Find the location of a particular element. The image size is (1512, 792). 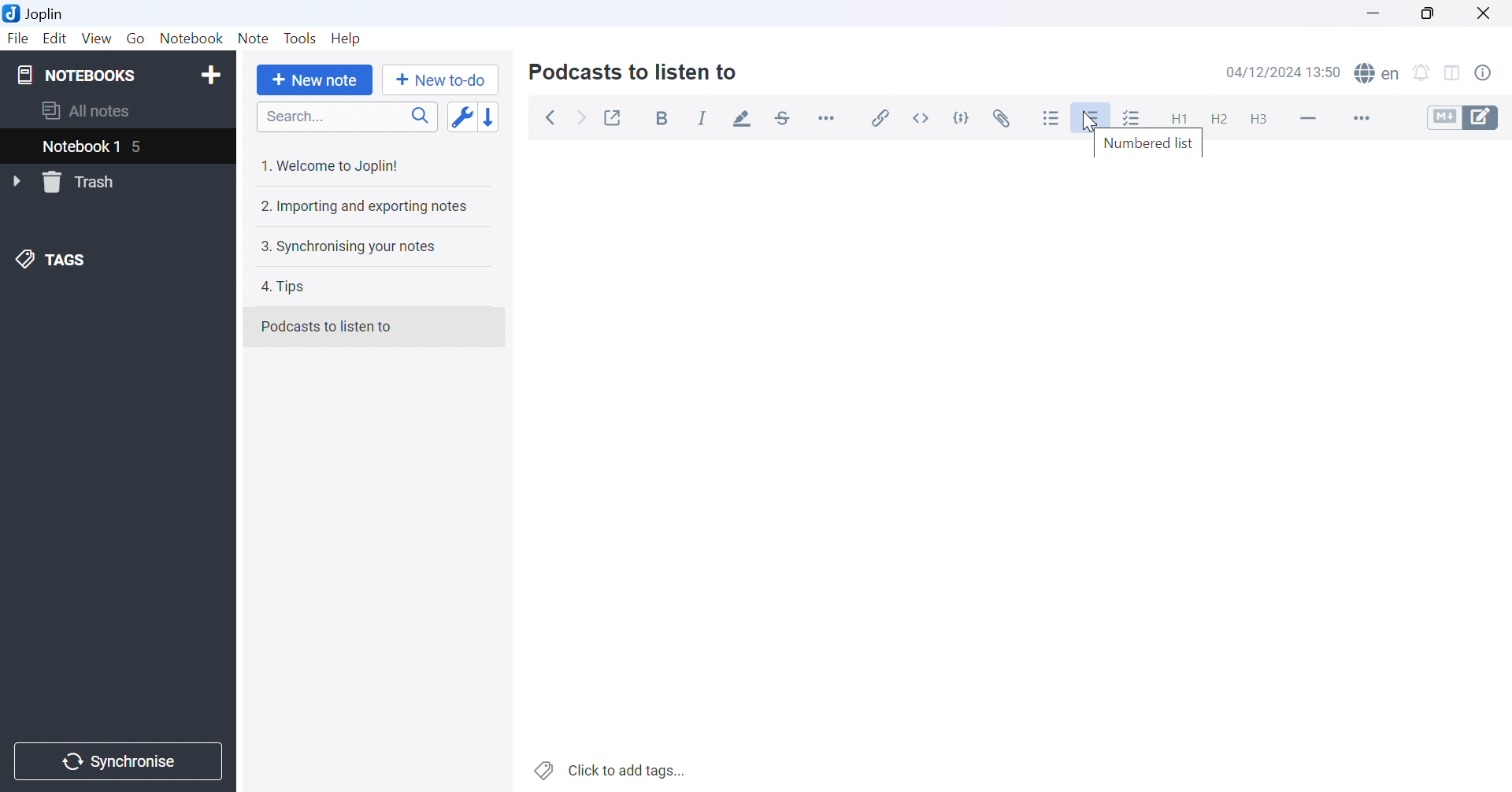

Highlight is located at coordinates (744, 119).